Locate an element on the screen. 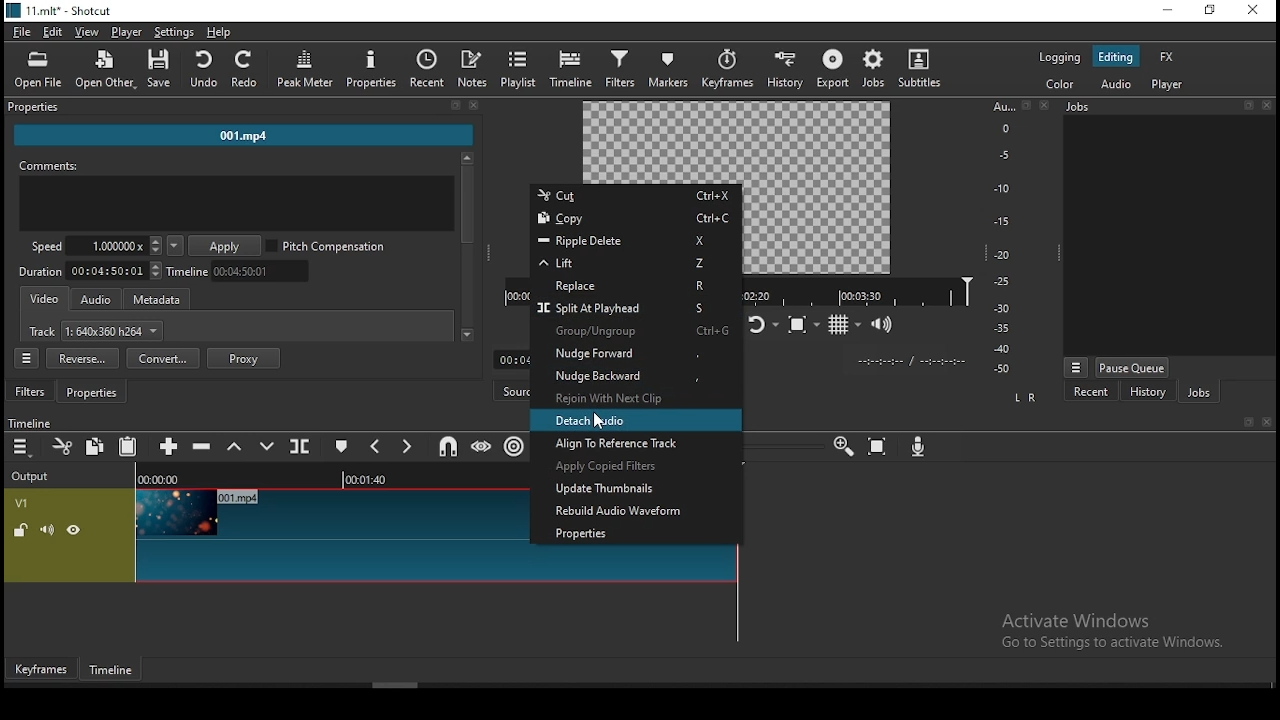 This screenshot has height=720, width=1280. properties is located at coordinates (91, 393).